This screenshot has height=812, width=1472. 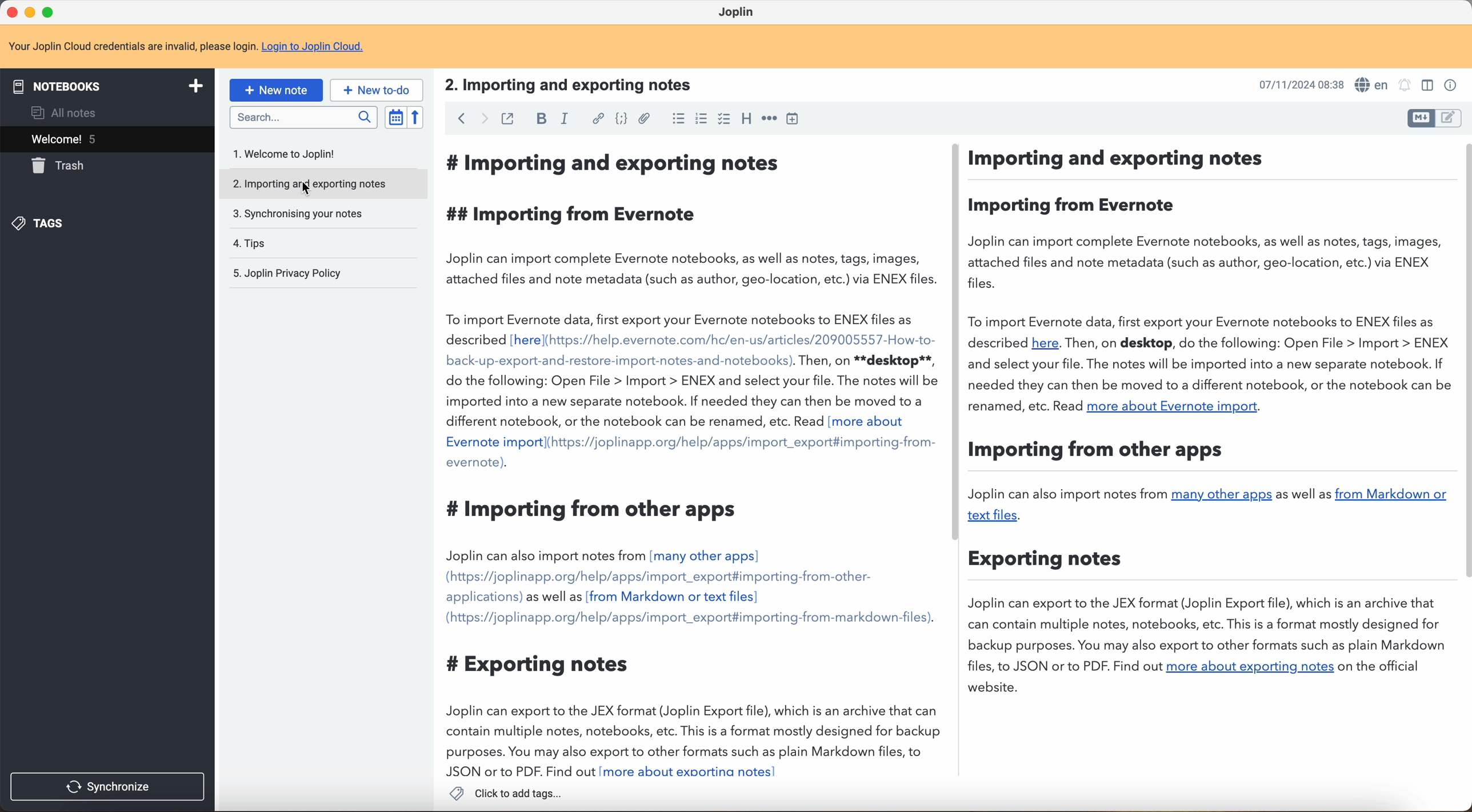 I want to click on new to-do, so click(x=378, y=90).